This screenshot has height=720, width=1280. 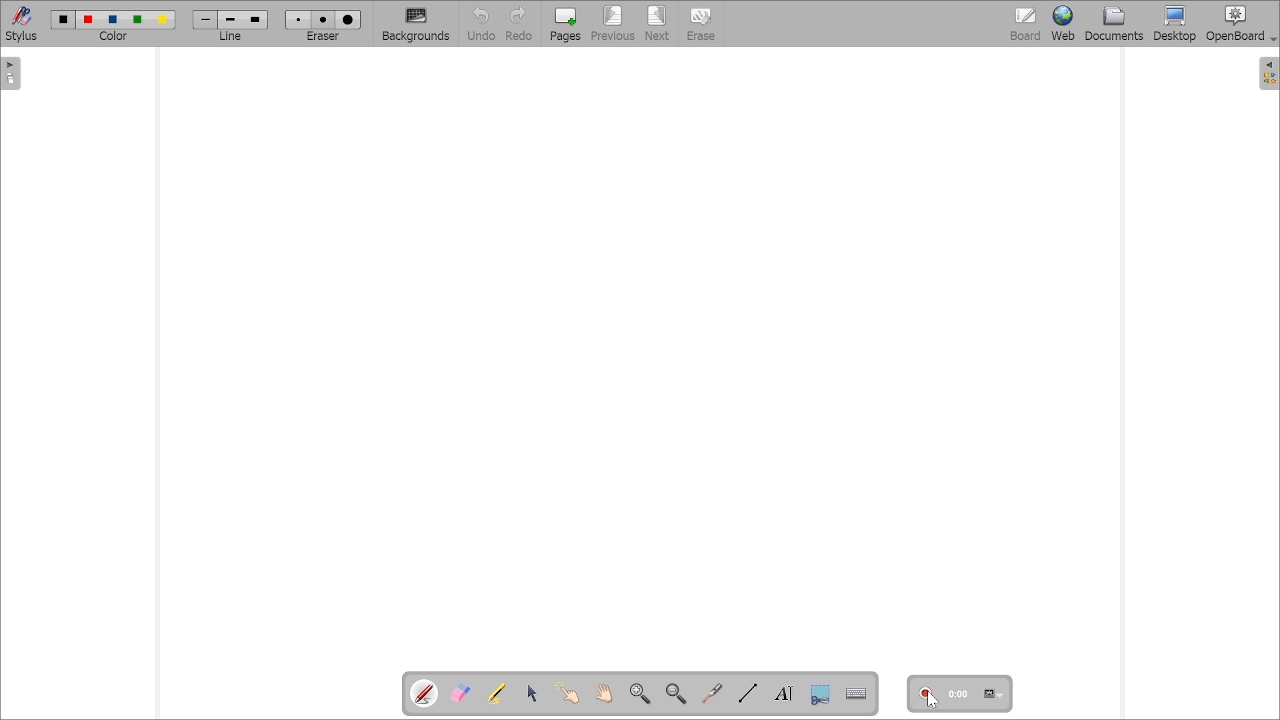 What do you see at coordinates (1114, 25) in the screenshot?
I see `Documents` at bounding box center [1114, 25].